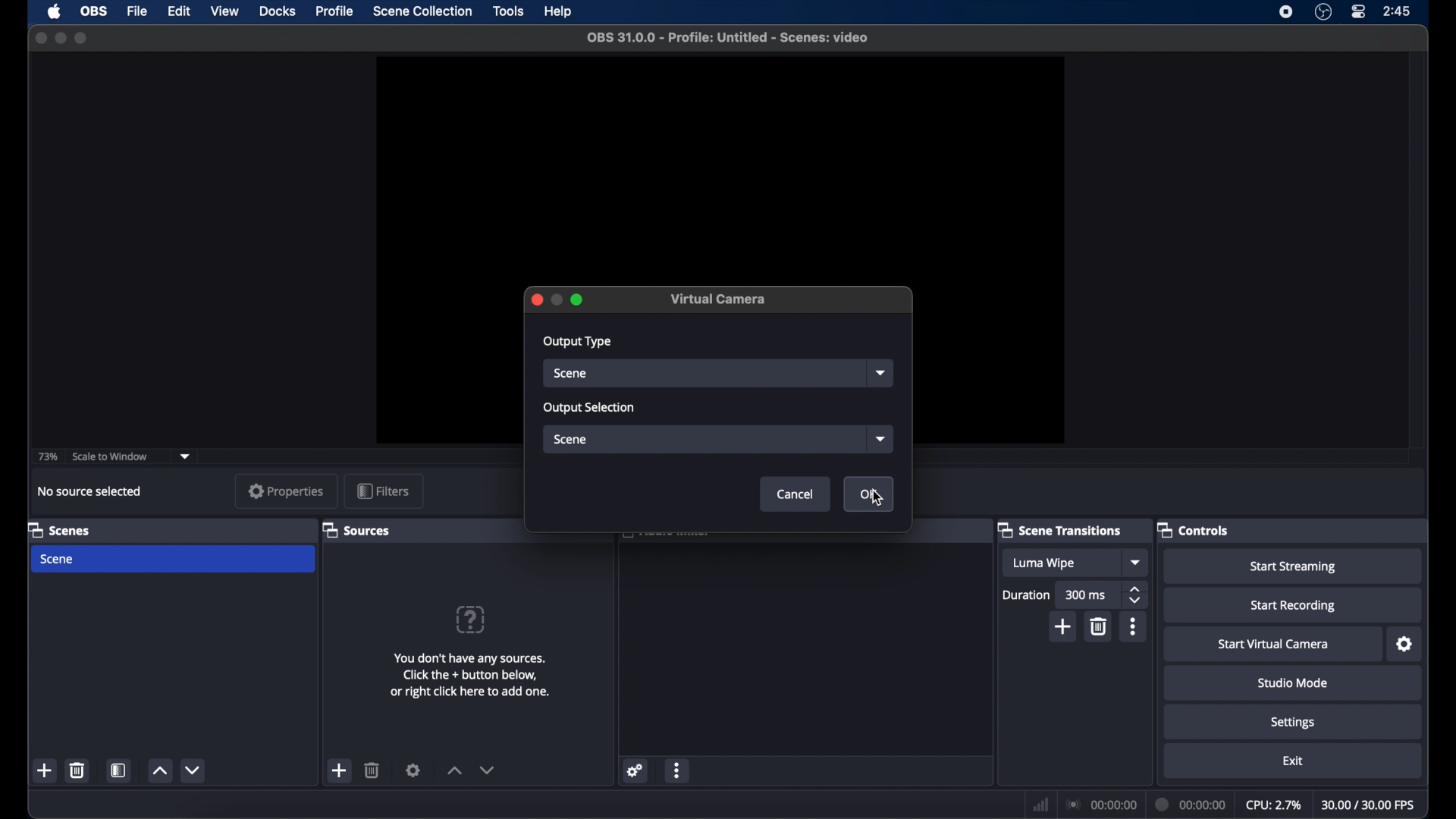 The width and height of the screenshot is (1456, 819). I want to click on delete, so click(1098, 627).